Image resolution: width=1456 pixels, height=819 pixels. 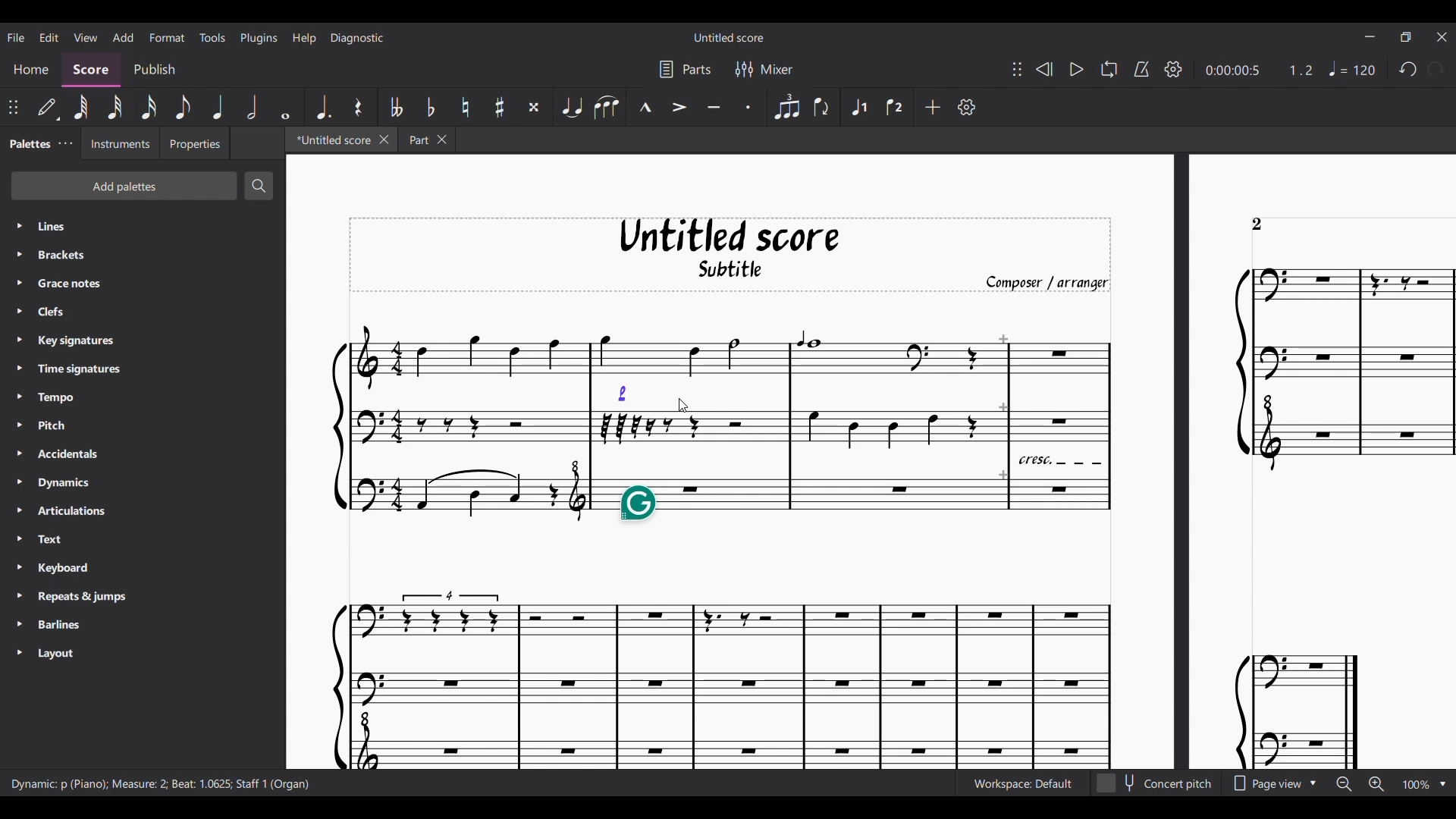 I want to click on Looping playback, so click(x=1109, y=69).